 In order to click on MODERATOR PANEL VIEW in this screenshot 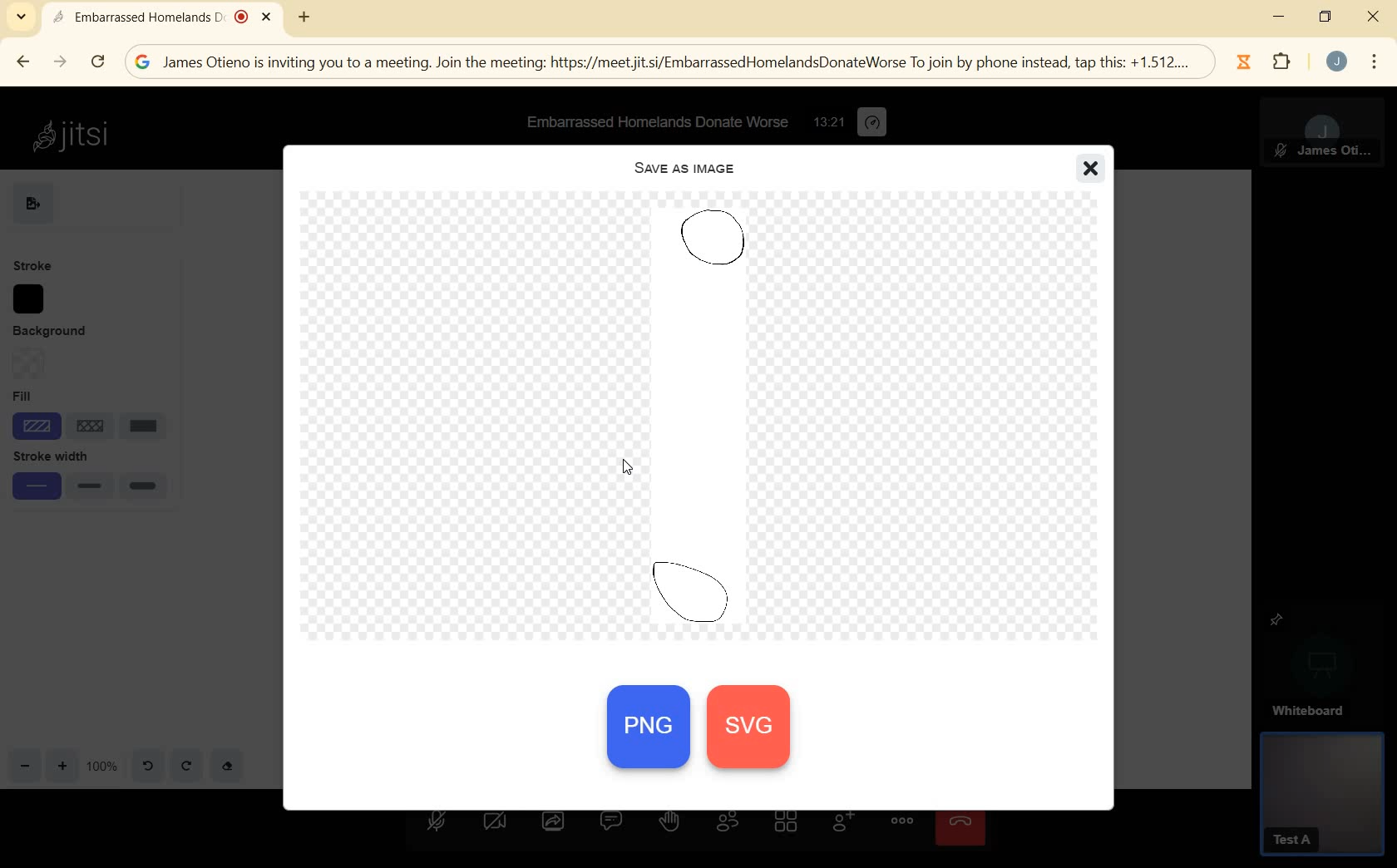, I will do `click(1329, 133)`.